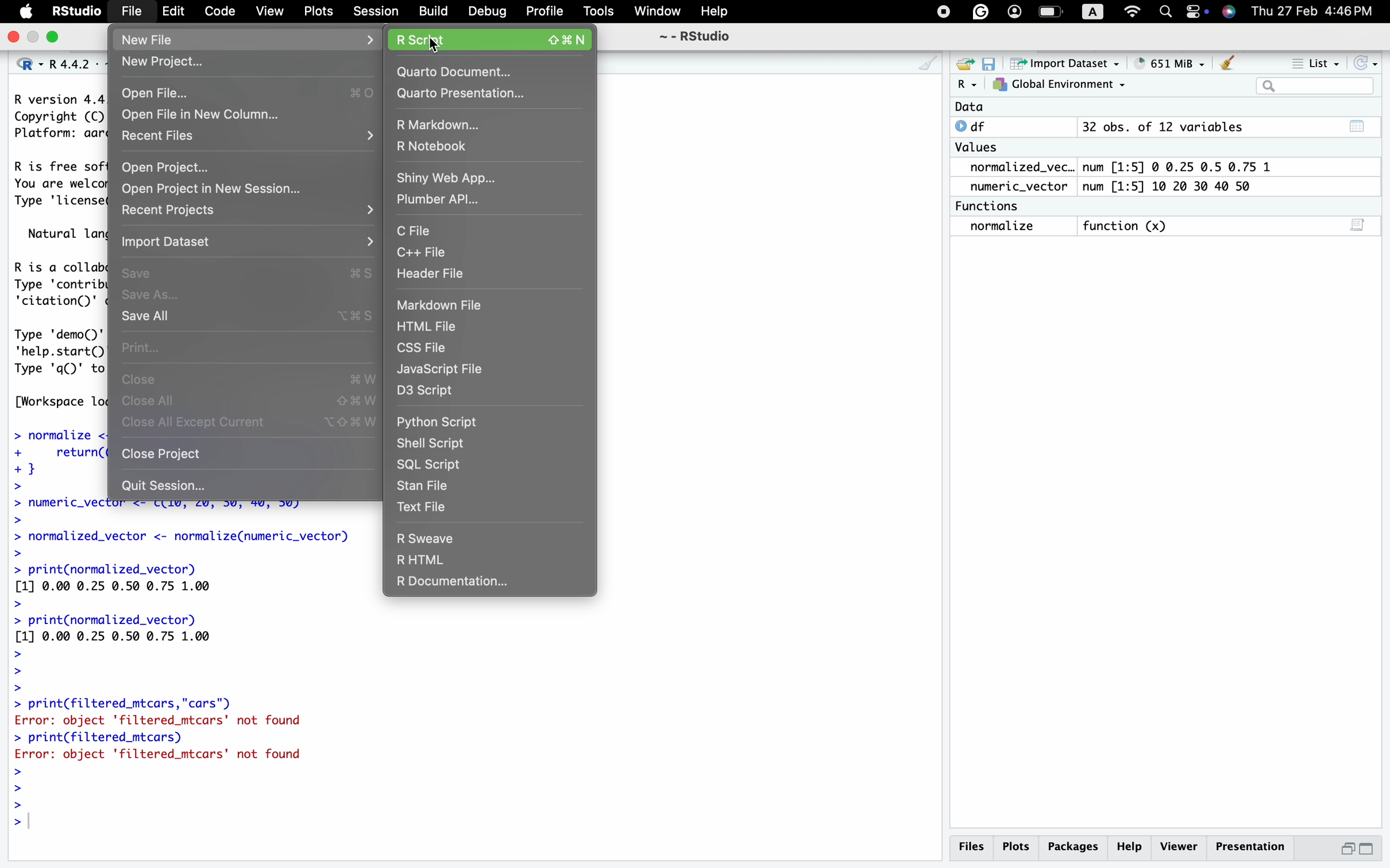  What do you see at coordinates (443, 199) in the screenshot?
I see `Plumber API...` at bounding box center [443, 199].